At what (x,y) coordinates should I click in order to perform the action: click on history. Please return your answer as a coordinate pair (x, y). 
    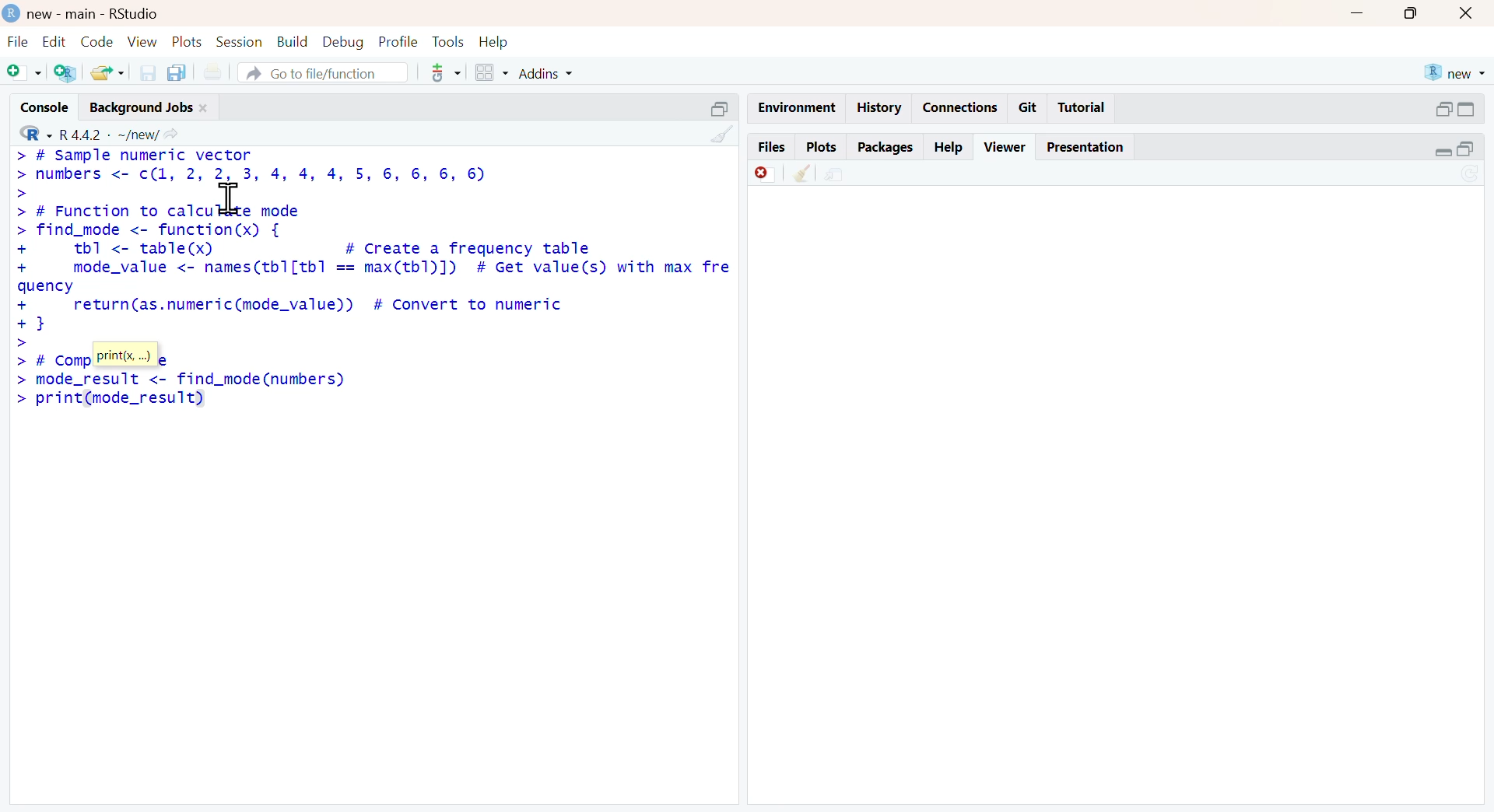
    Looking at the image, I should click on (881, 108).